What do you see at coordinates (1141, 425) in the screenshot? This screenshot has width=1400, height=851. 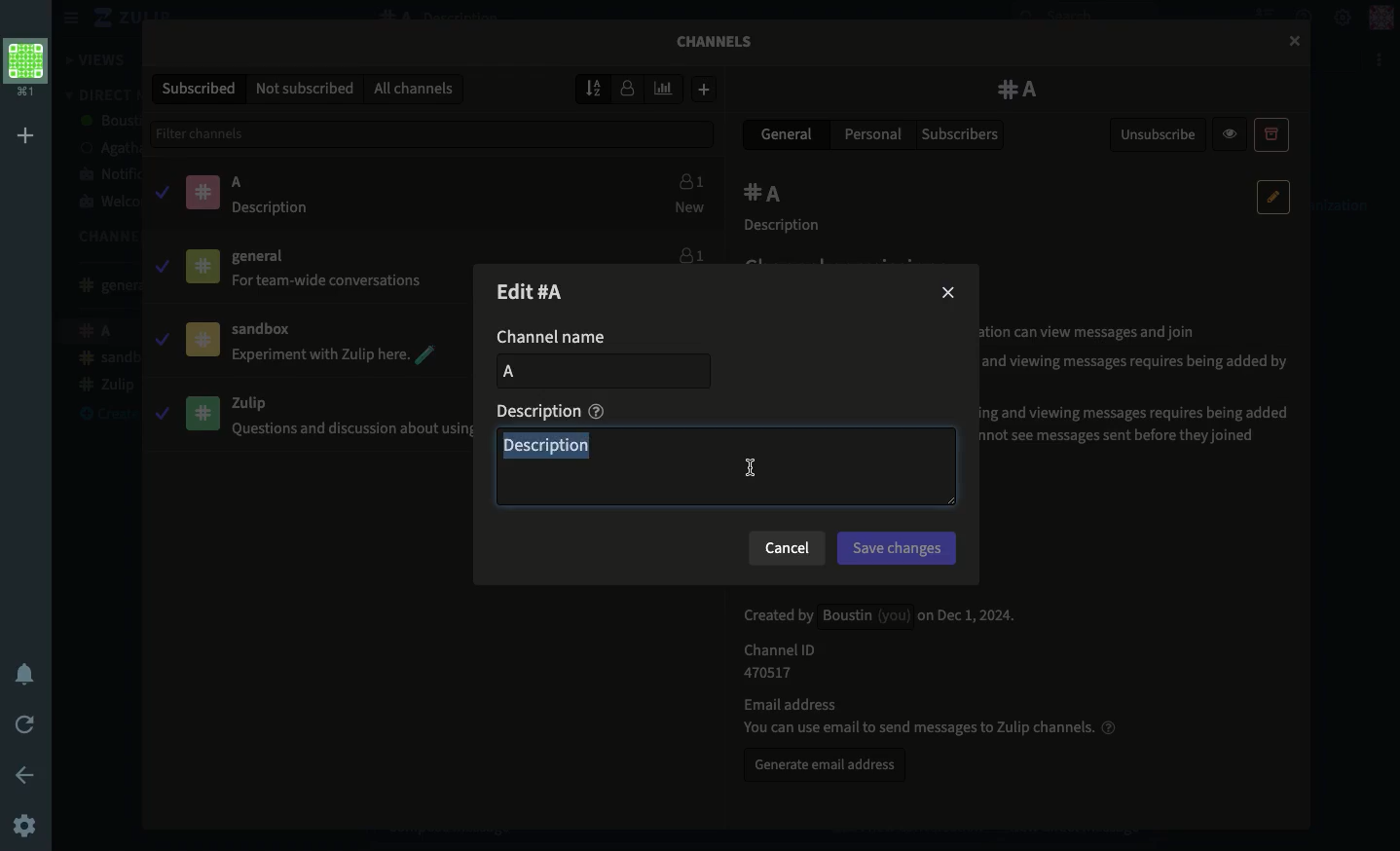 I see `© Private, protected history: Joining and viewing messages requires being added
by a subscriber; new subscribers cannot see messages sent before they joined` at bounding box center [1141, 425].